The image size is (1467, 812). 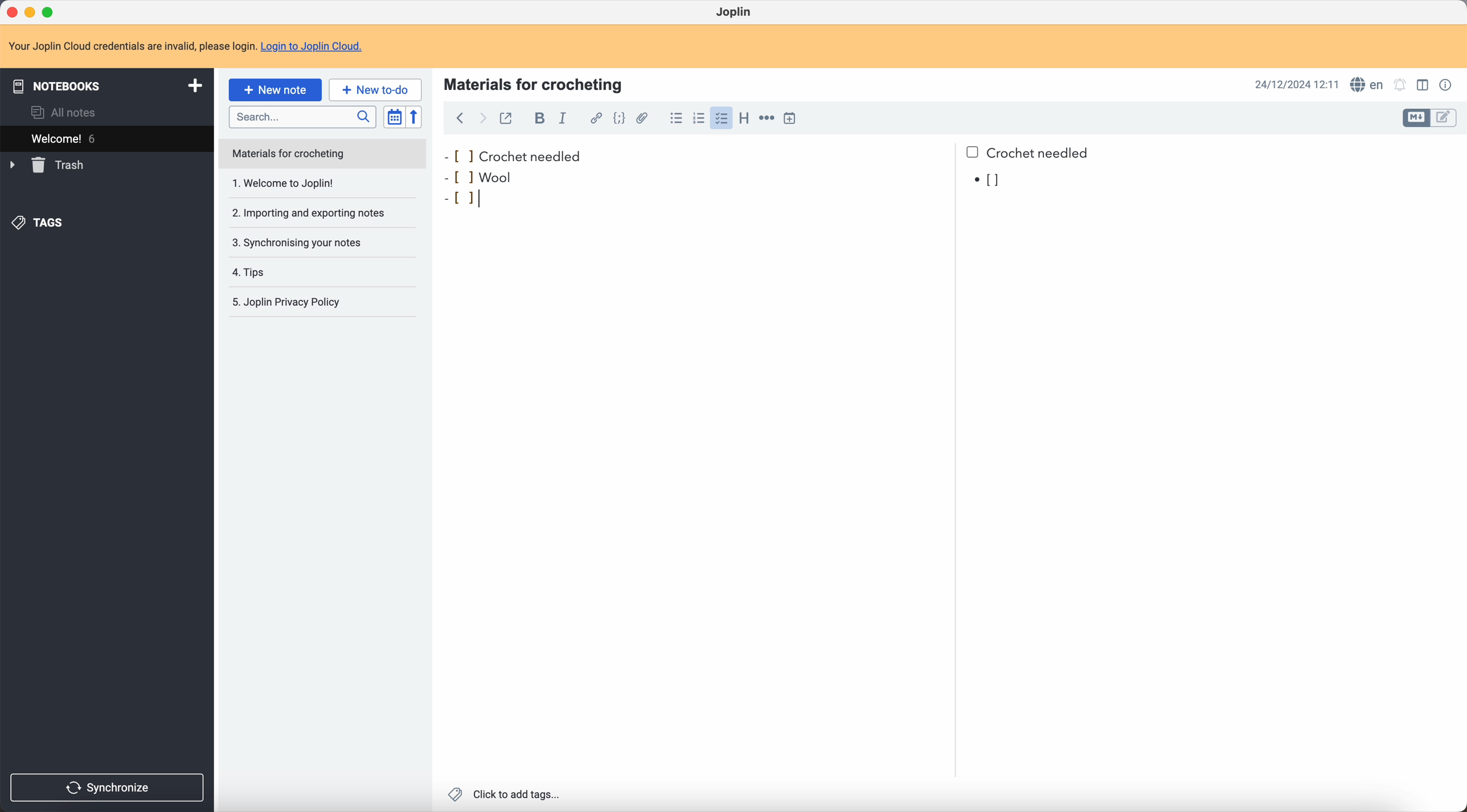 What do you see at coordinates (460, 120) in the screenshot?
I see `back` at bounding box center [460, 120].